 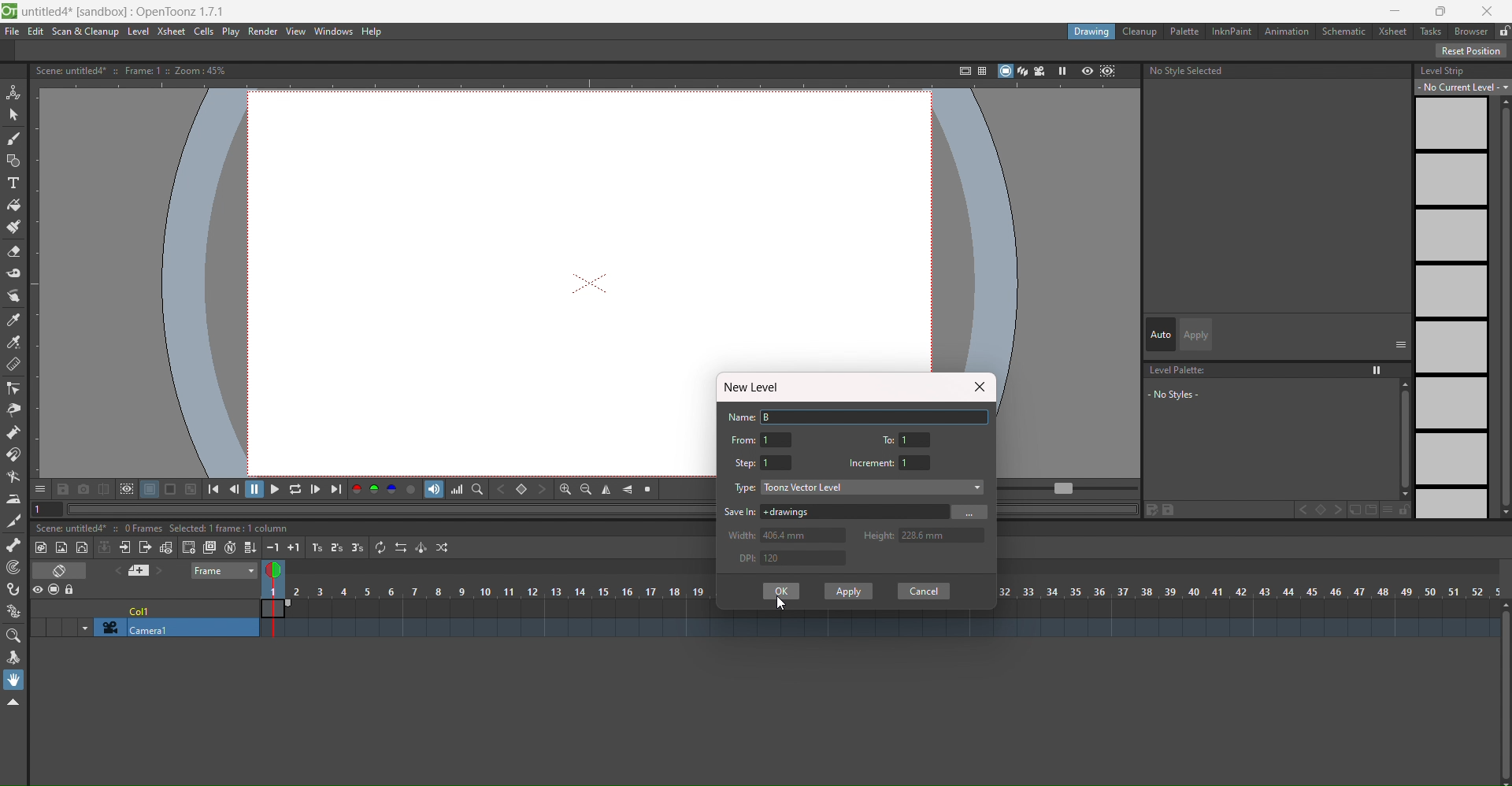 I want to click on help, so click(x=376, y=32).